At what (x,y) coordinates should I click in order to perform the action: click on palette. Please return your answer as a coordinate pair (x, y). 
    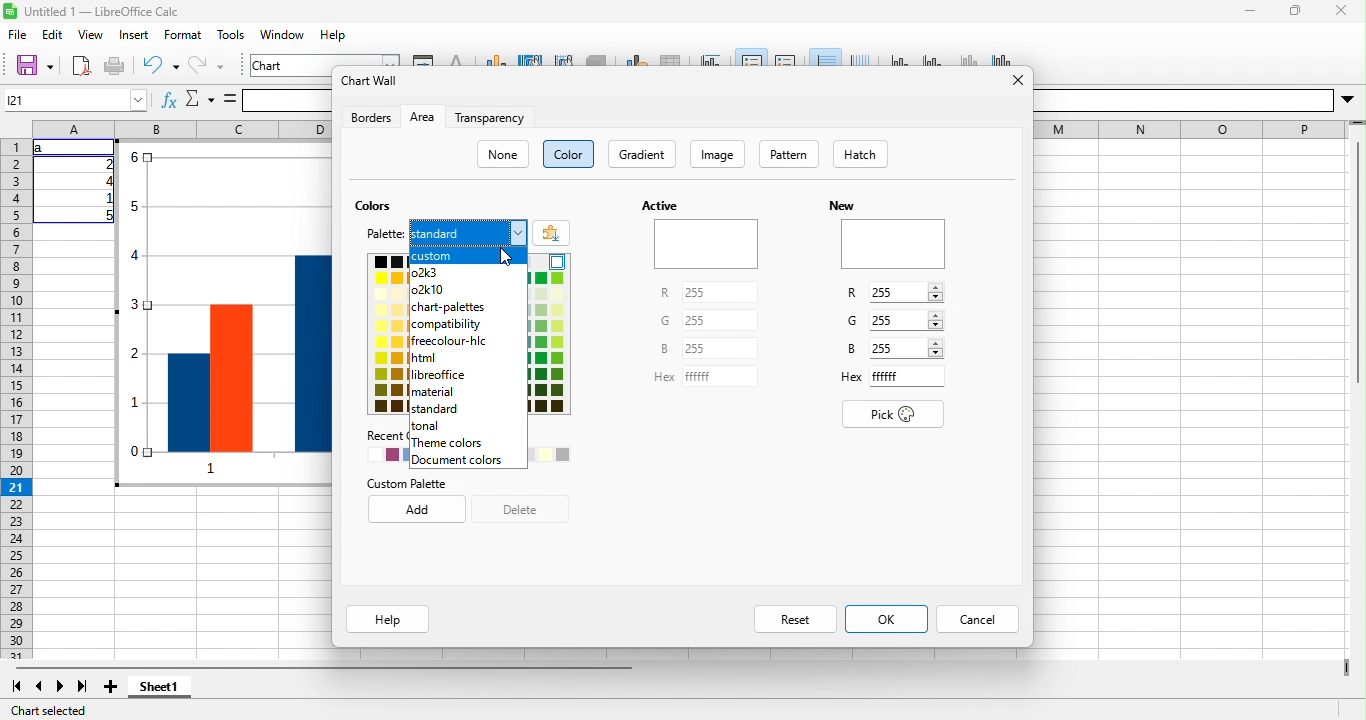
    Looking at the image, I should click on (385, 234).